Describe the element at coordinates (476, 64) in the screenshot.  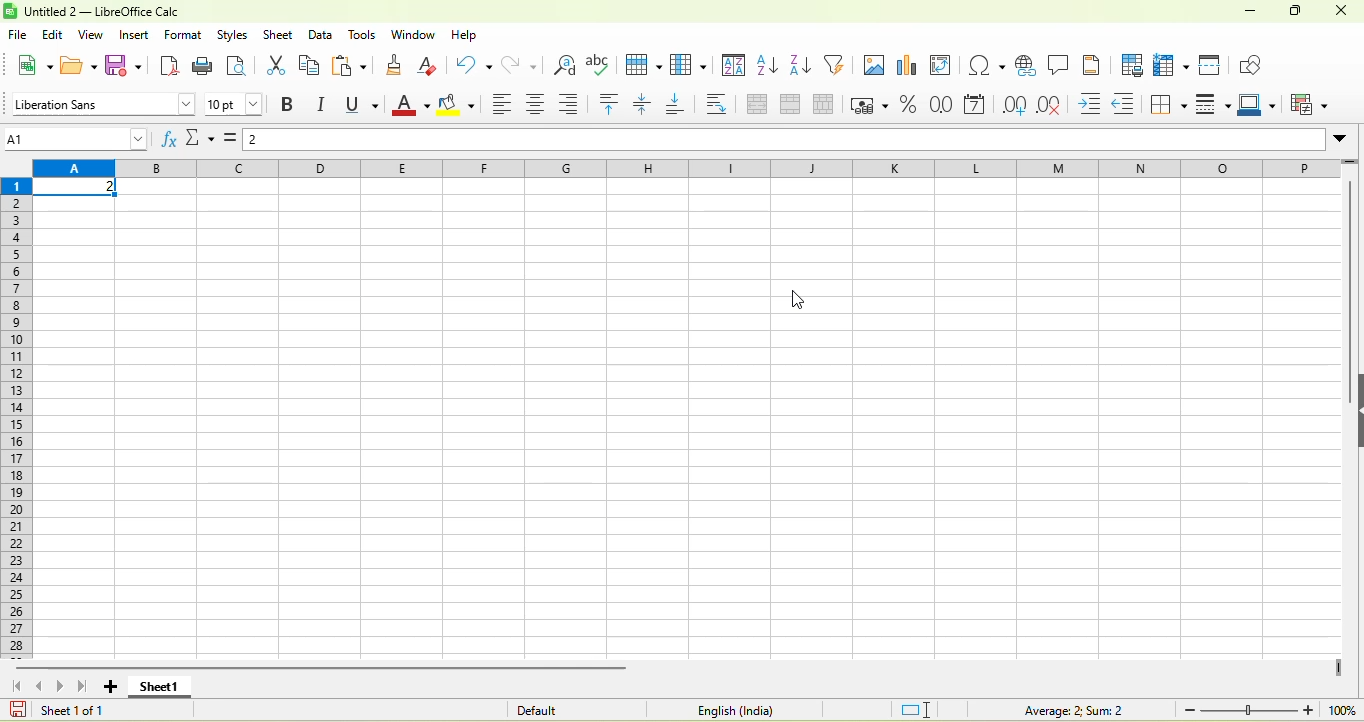
I see `undo` at that location.